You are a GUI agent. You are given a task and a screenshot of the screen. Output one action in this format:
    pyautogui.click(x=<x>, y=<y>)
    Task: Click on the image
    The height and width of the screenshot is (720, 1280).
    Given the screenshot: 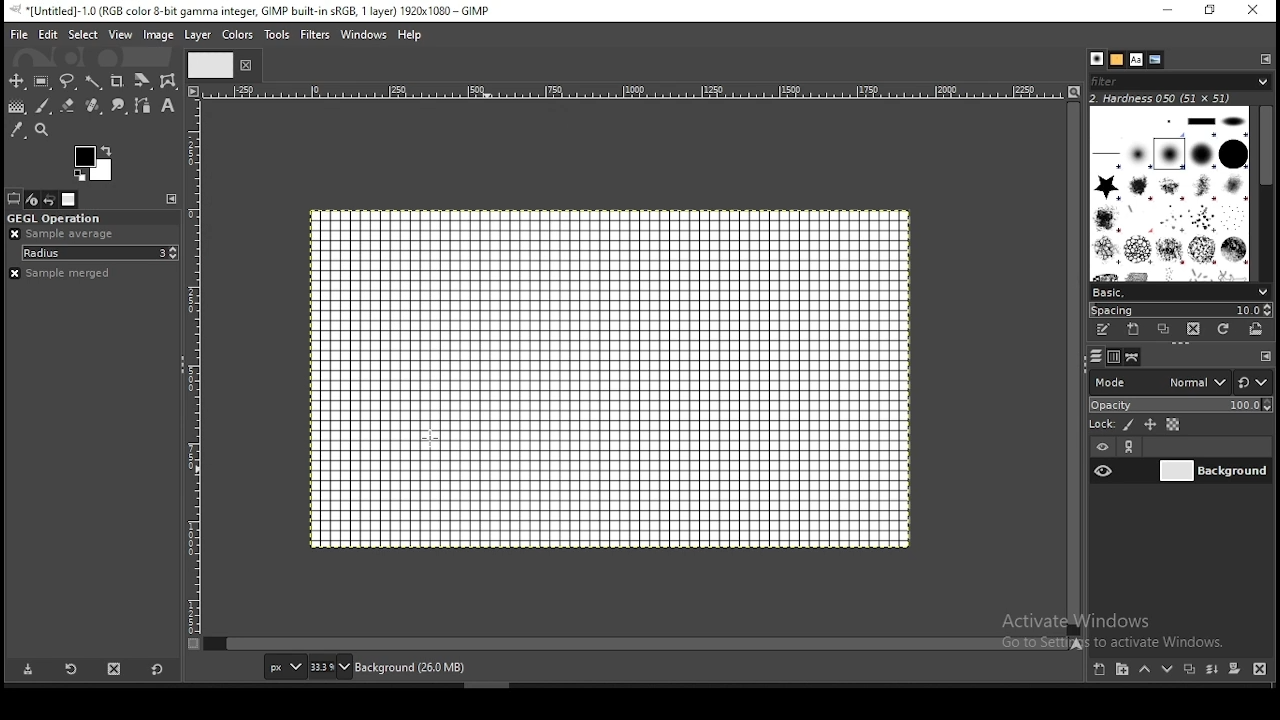 What is the action you would take?
    pyautogui.click(x=158, y=35)
    